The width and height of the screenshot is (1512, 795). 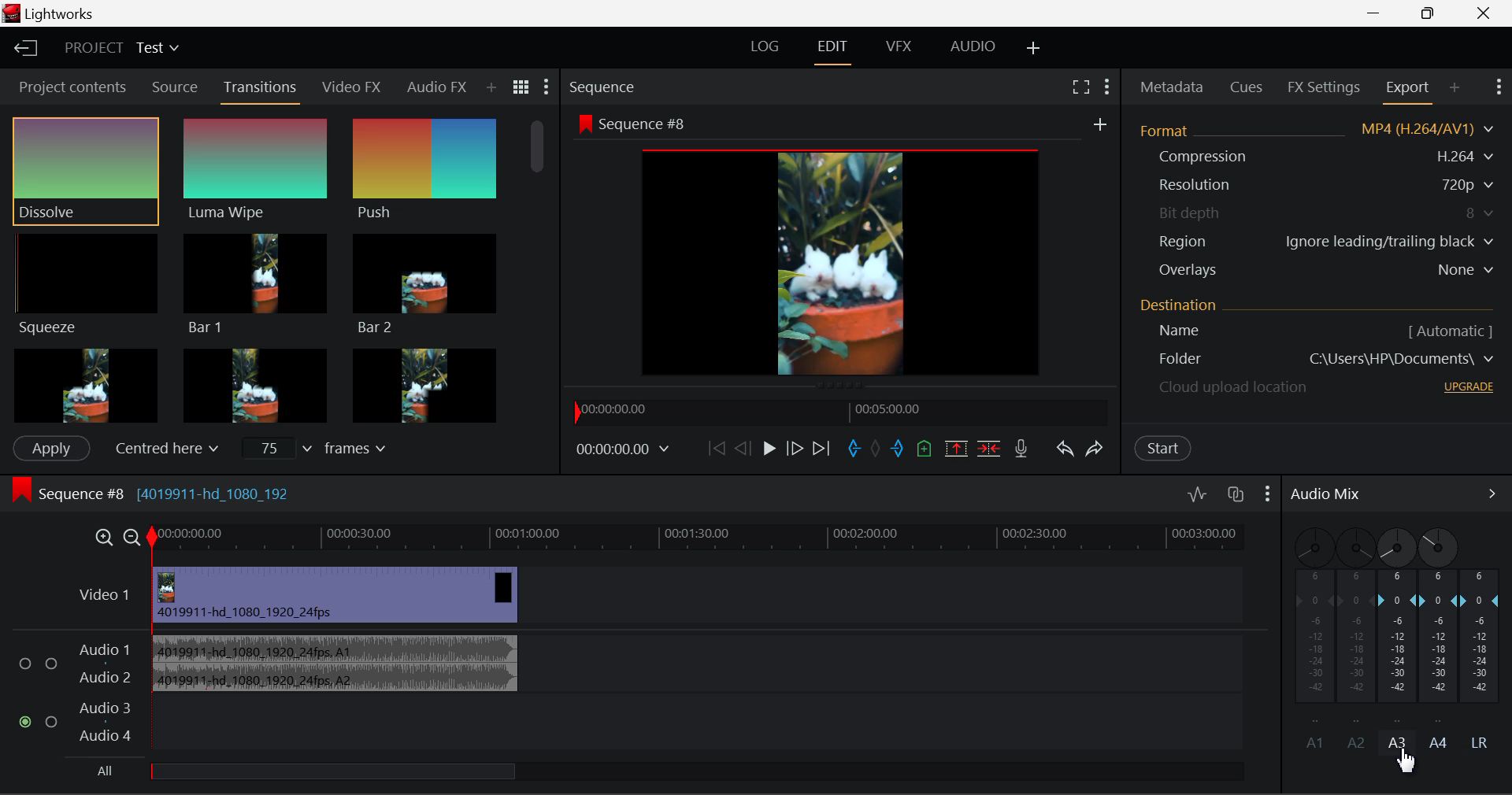 I want to click on Timeline Zoom Out, so click(x=131, y=538).